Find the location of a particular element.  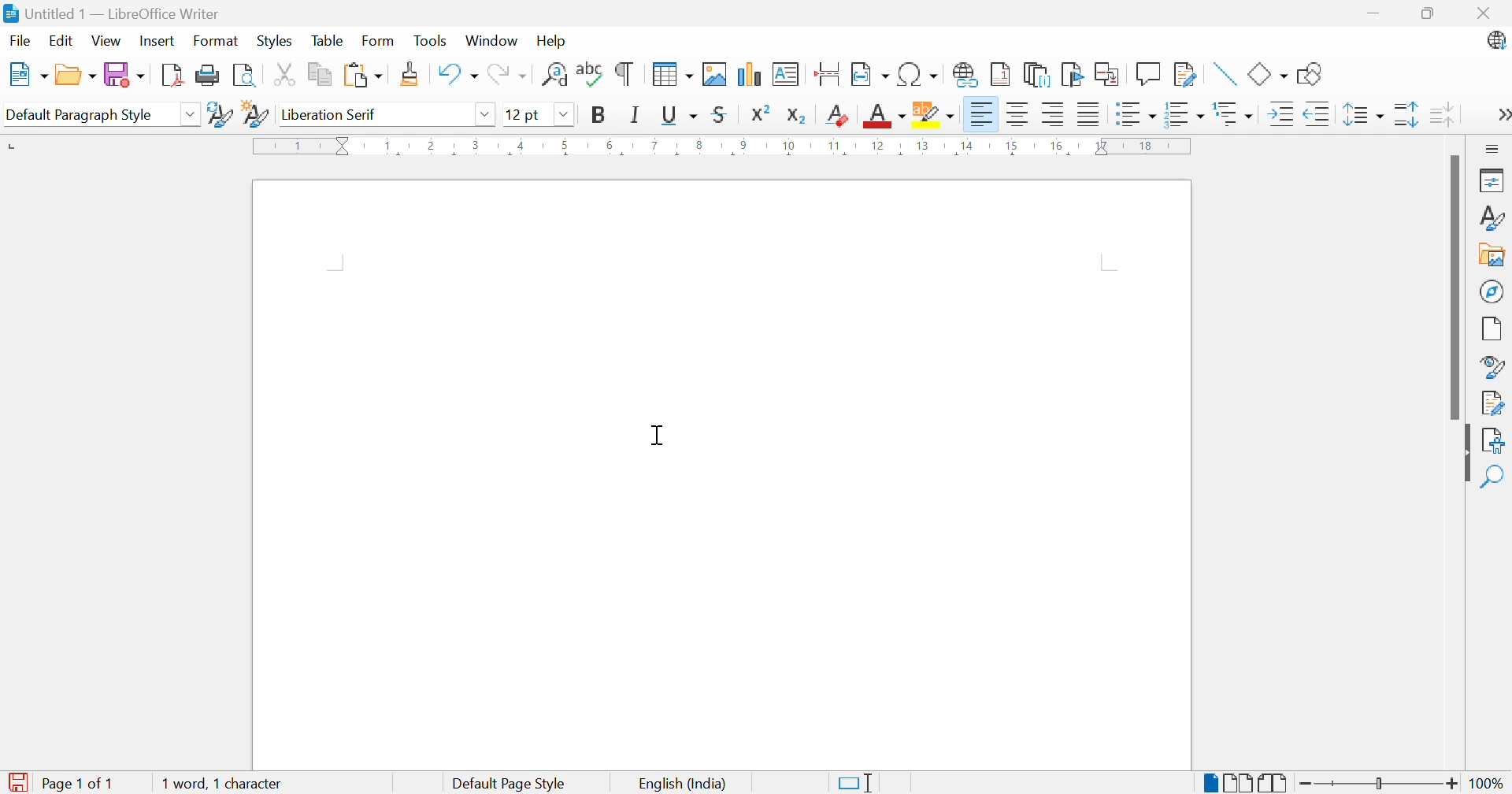

Restore down is located at coordinates (1432, 17).